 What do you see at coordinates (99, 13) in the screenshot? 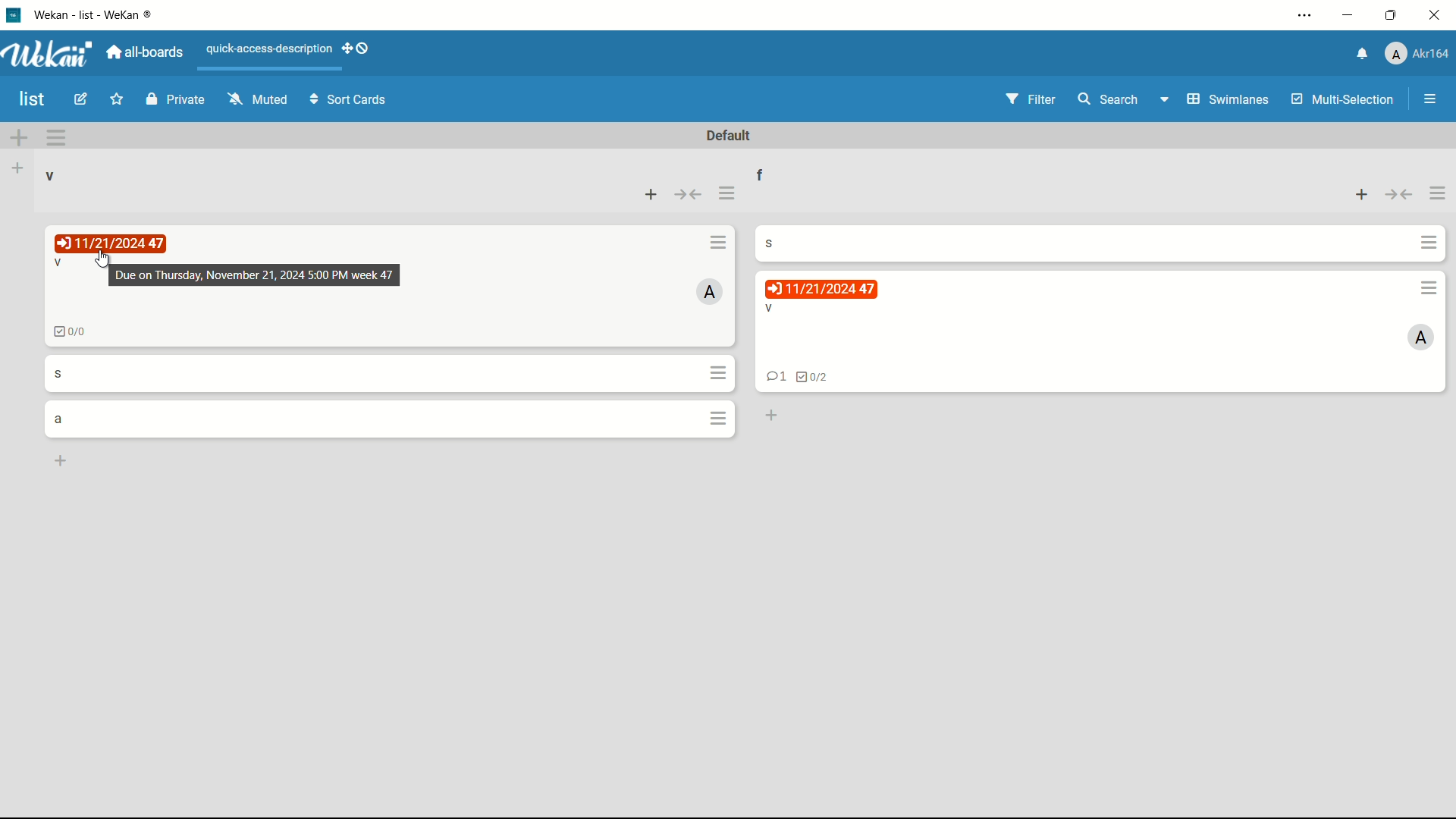
I see `wekan - list - wekan` at bounding box center [99, 13].